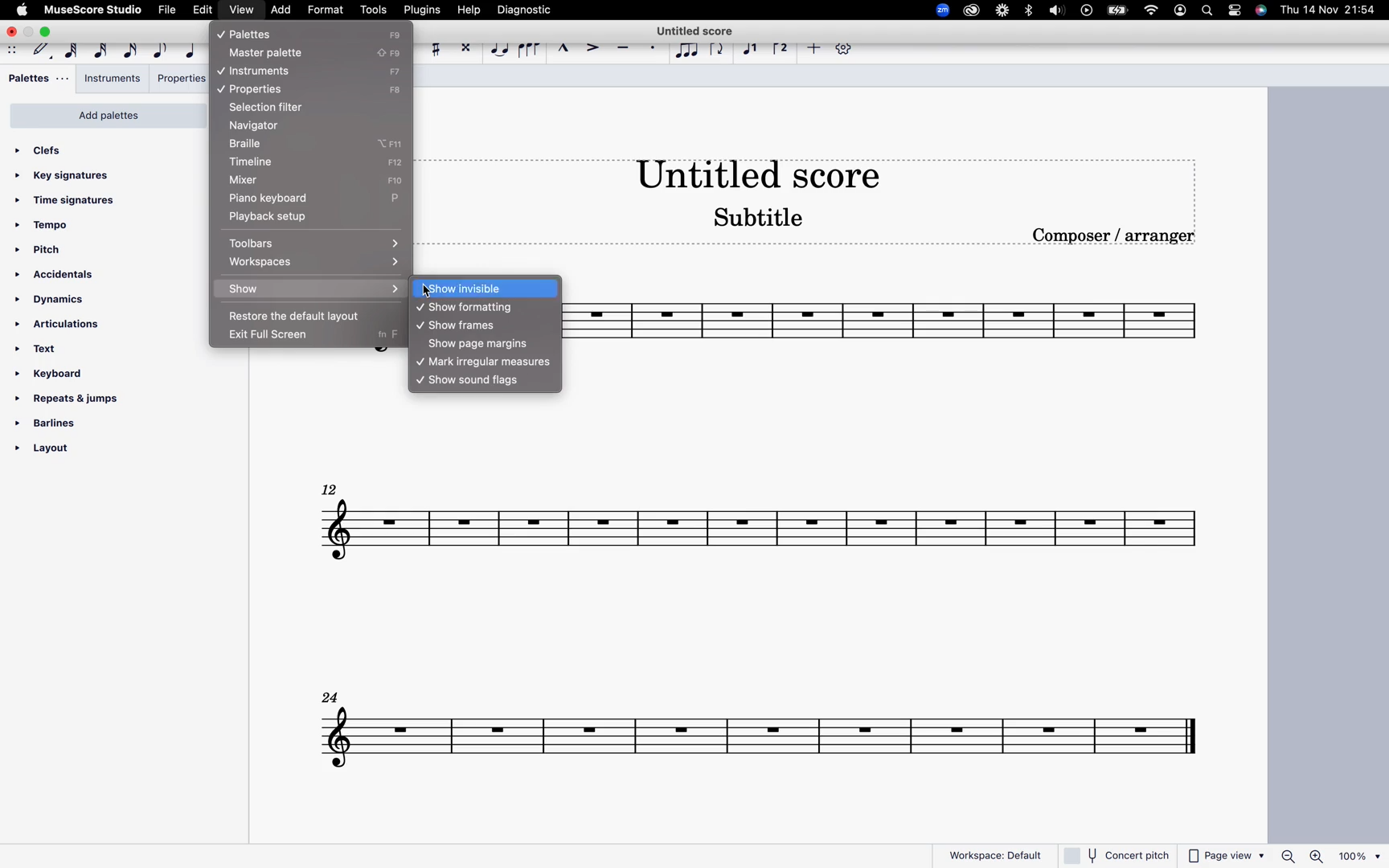 The image size is (1389, 868). I want to click on page view, so click(1223, 856).